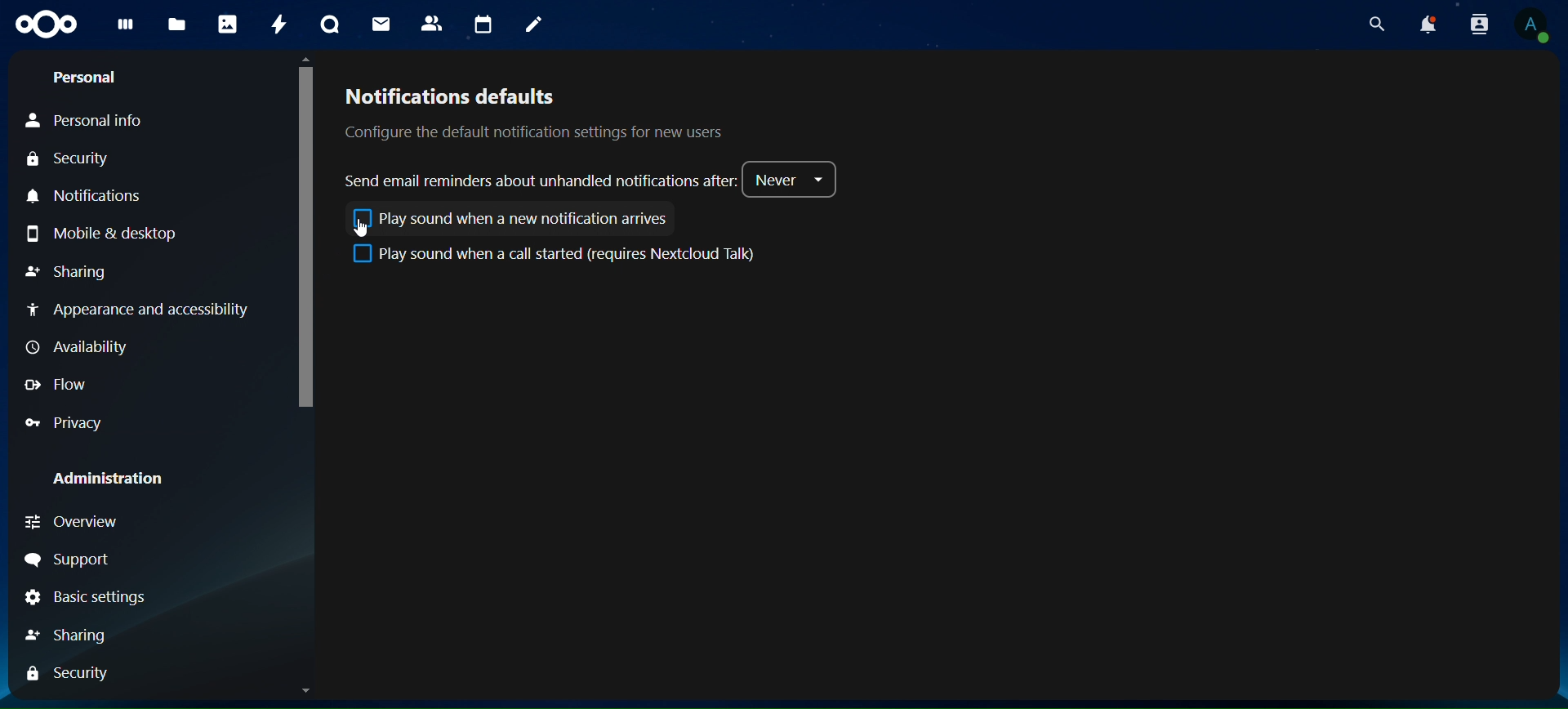  I want to click on Sharing, so click(65, 273).